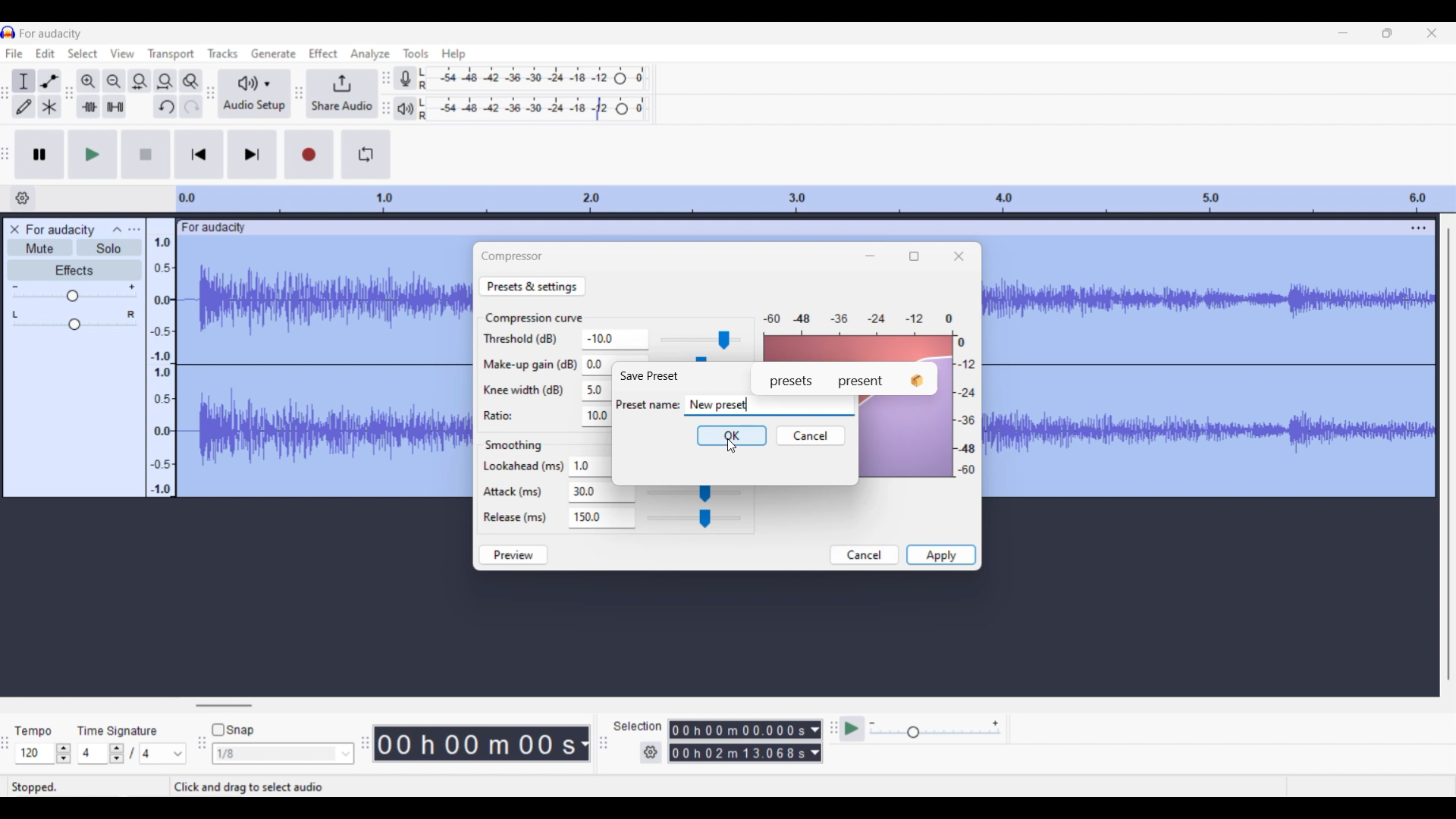 The height and width of the screenshot is (819, 1456). I want to click on Stop, so click(146, 154).